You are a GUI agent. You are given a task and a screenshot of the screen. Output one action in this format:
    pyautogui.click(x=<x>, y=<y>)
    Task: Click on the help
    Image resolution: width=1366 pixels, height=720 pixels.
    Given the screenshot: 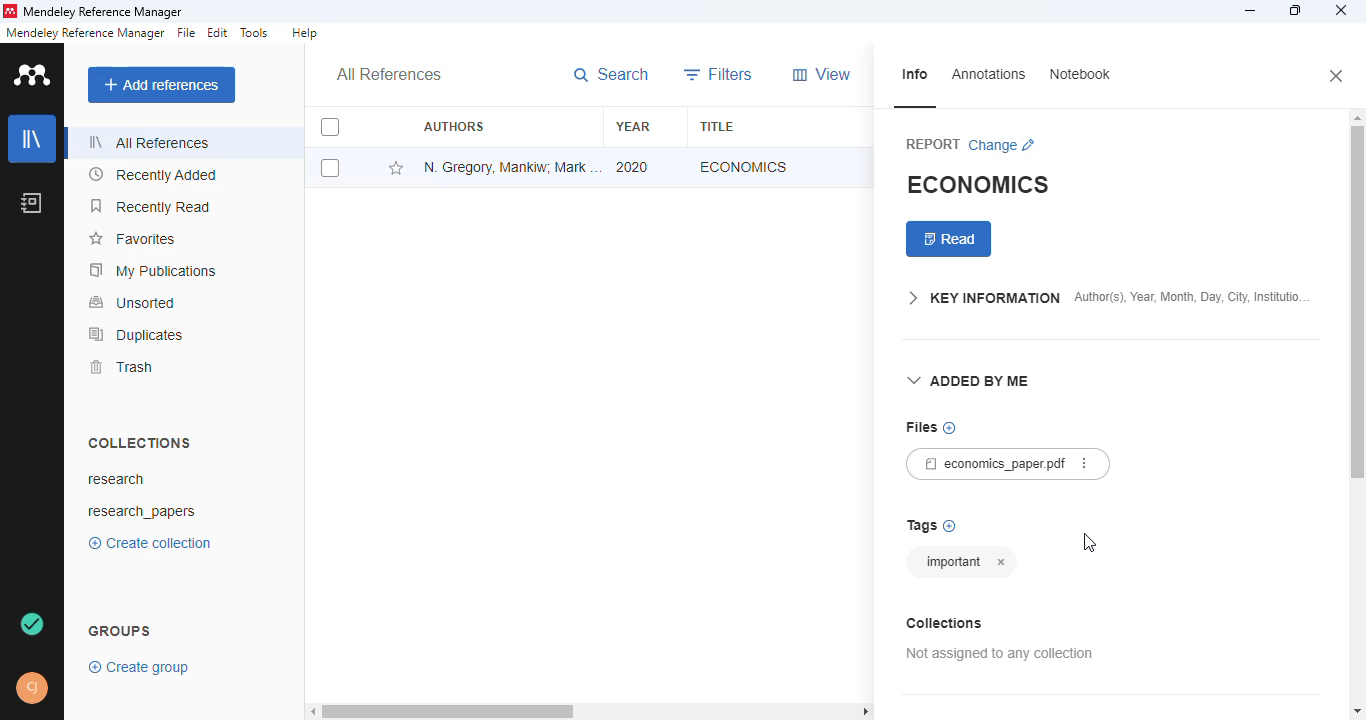 What is the action you would take?
    pyautogui.click(x=304, y=33)
    